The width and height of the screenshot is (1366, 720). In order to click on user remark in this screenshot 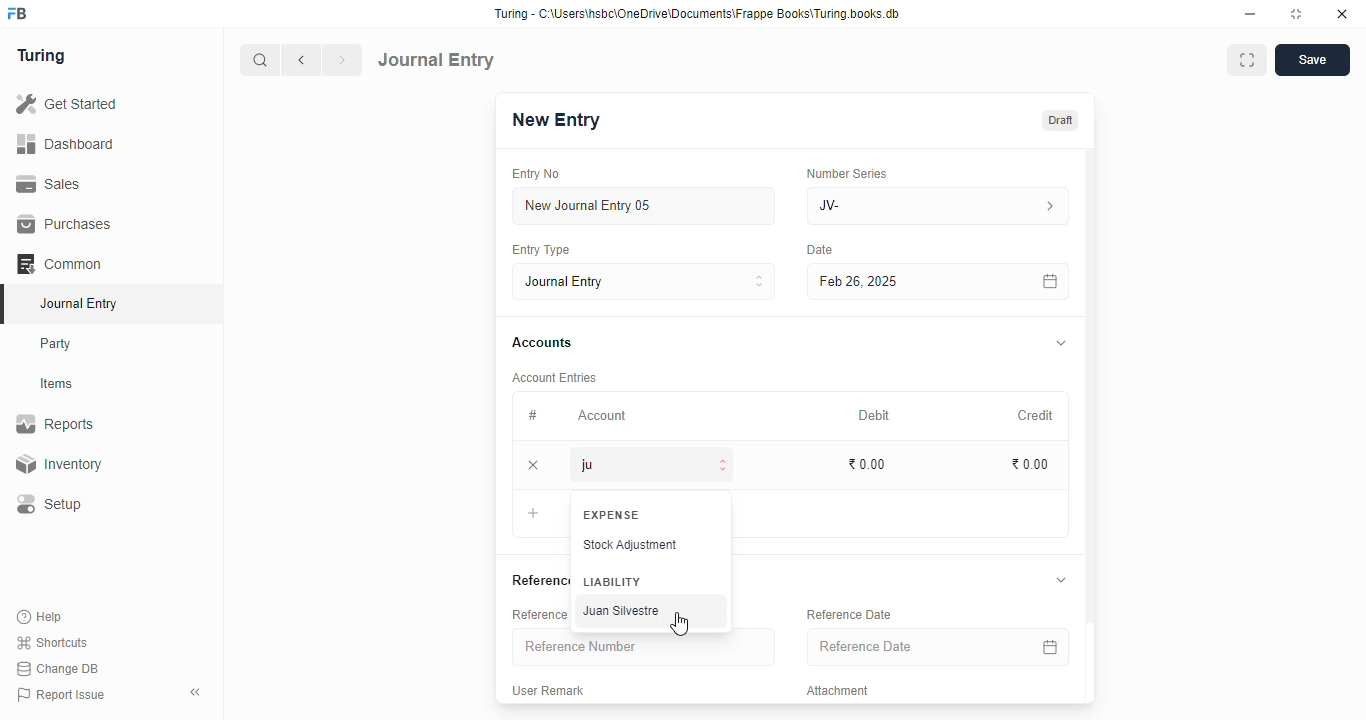, I will do `click(548, 691)`.